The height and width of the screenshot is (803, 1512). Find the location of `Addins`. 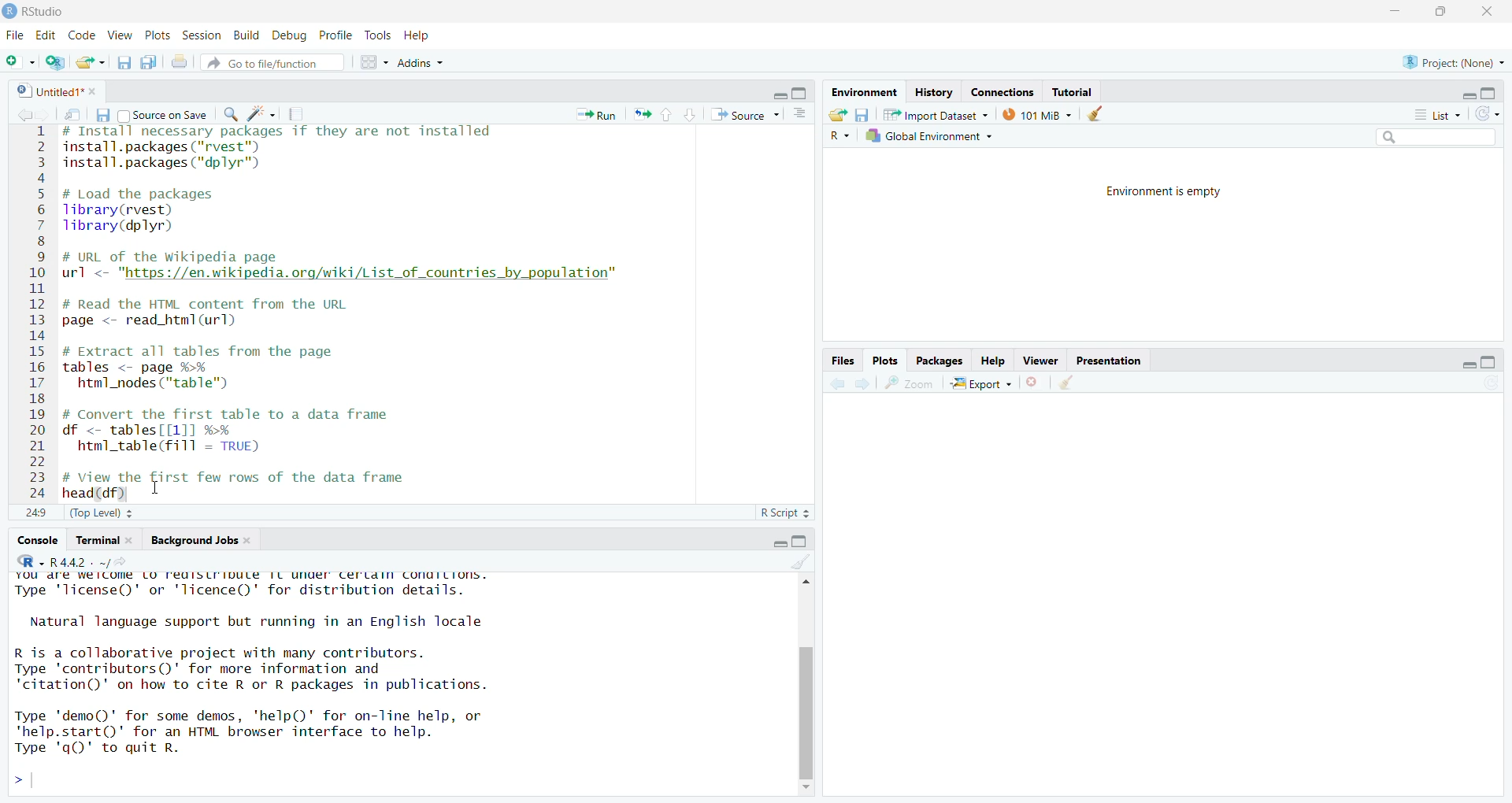

Addins is located at coordinates (421, 61).